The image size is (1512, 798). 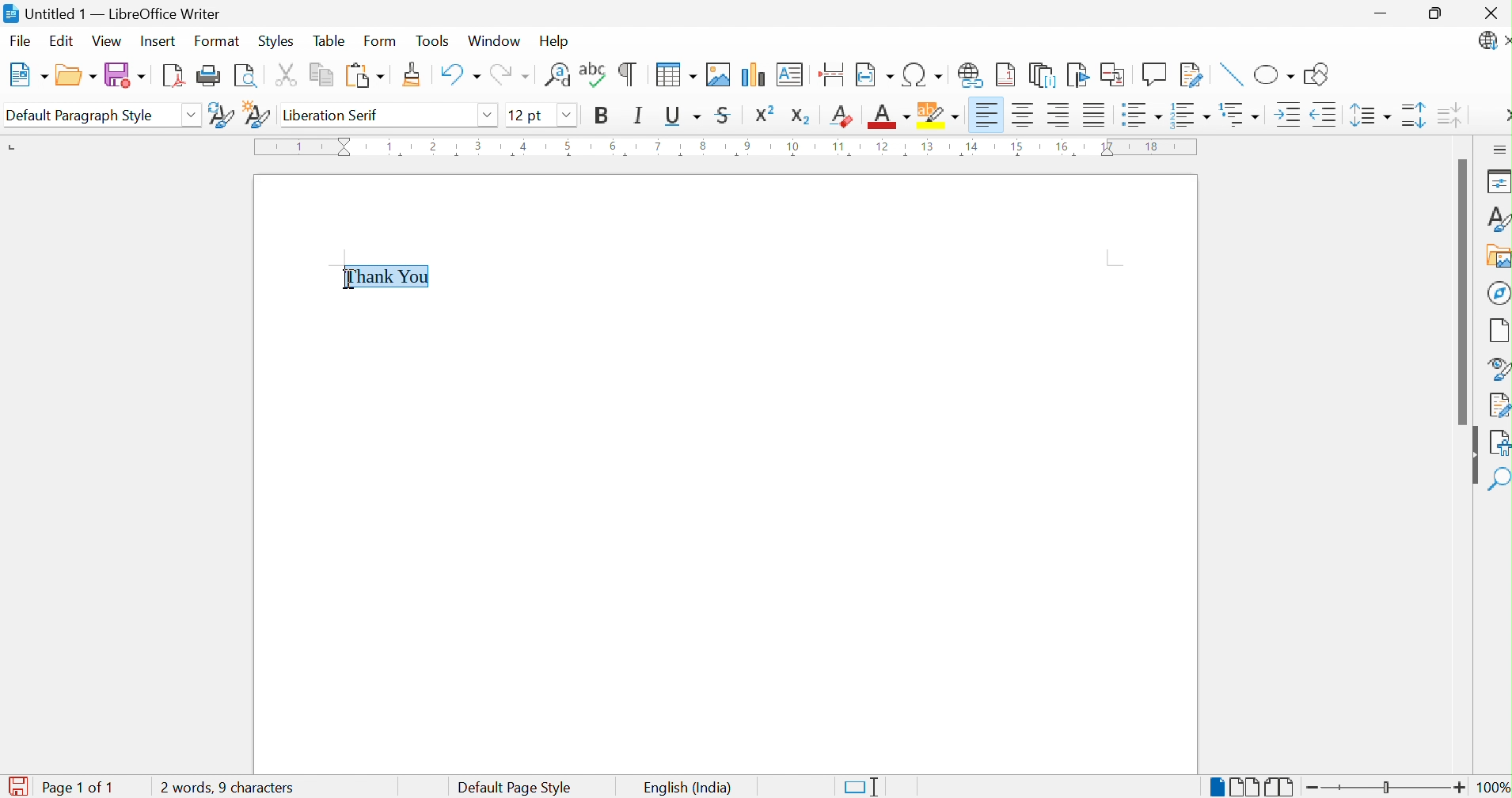 What do you see at coordinates (116, 13) in the screenshot?
I see `Untitled 1 - LibreOffice Writer ` at bounding box center [116, 13].